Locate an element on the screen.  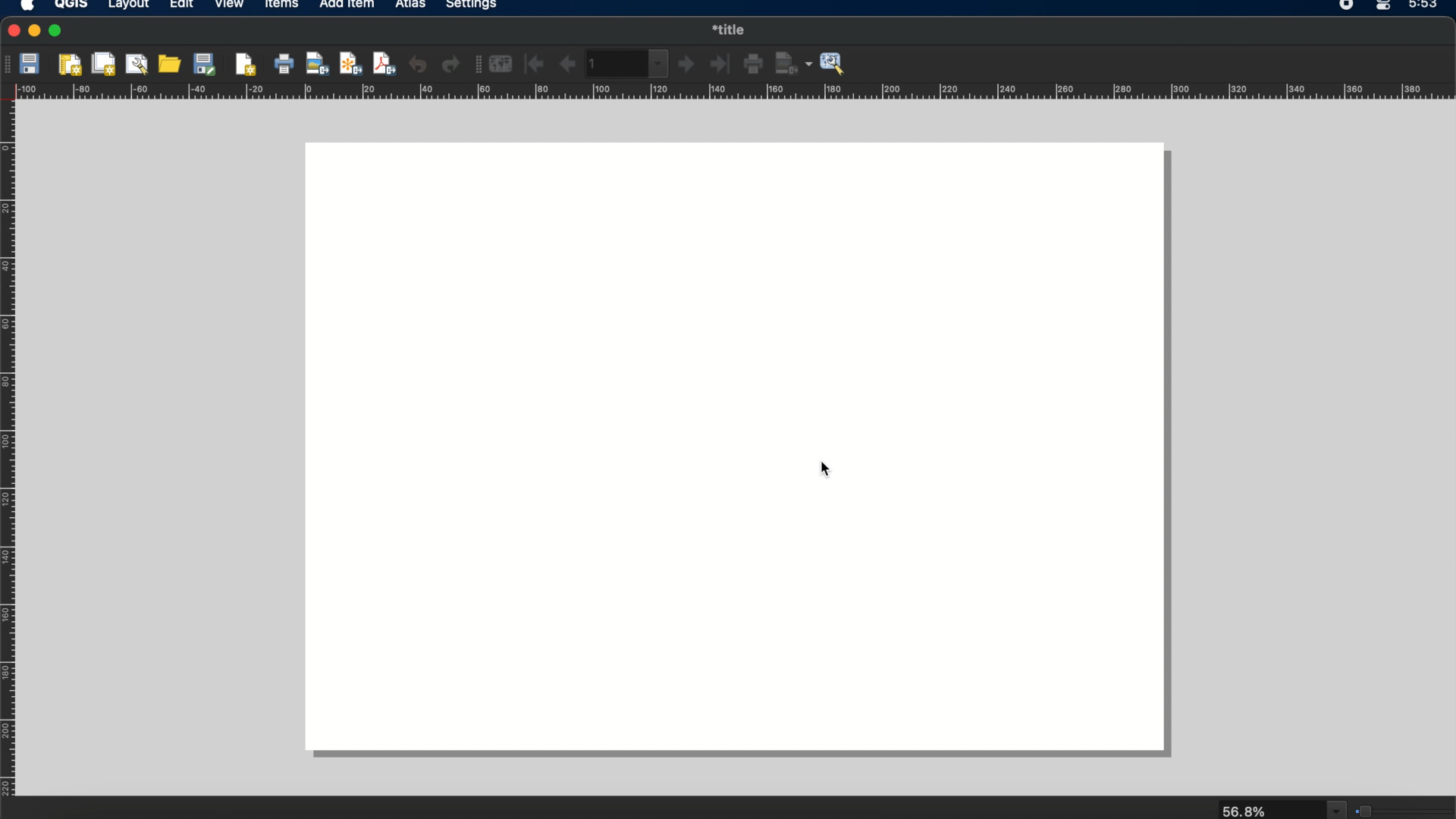
screen recorder icon is located at coordinates (1348, 6).